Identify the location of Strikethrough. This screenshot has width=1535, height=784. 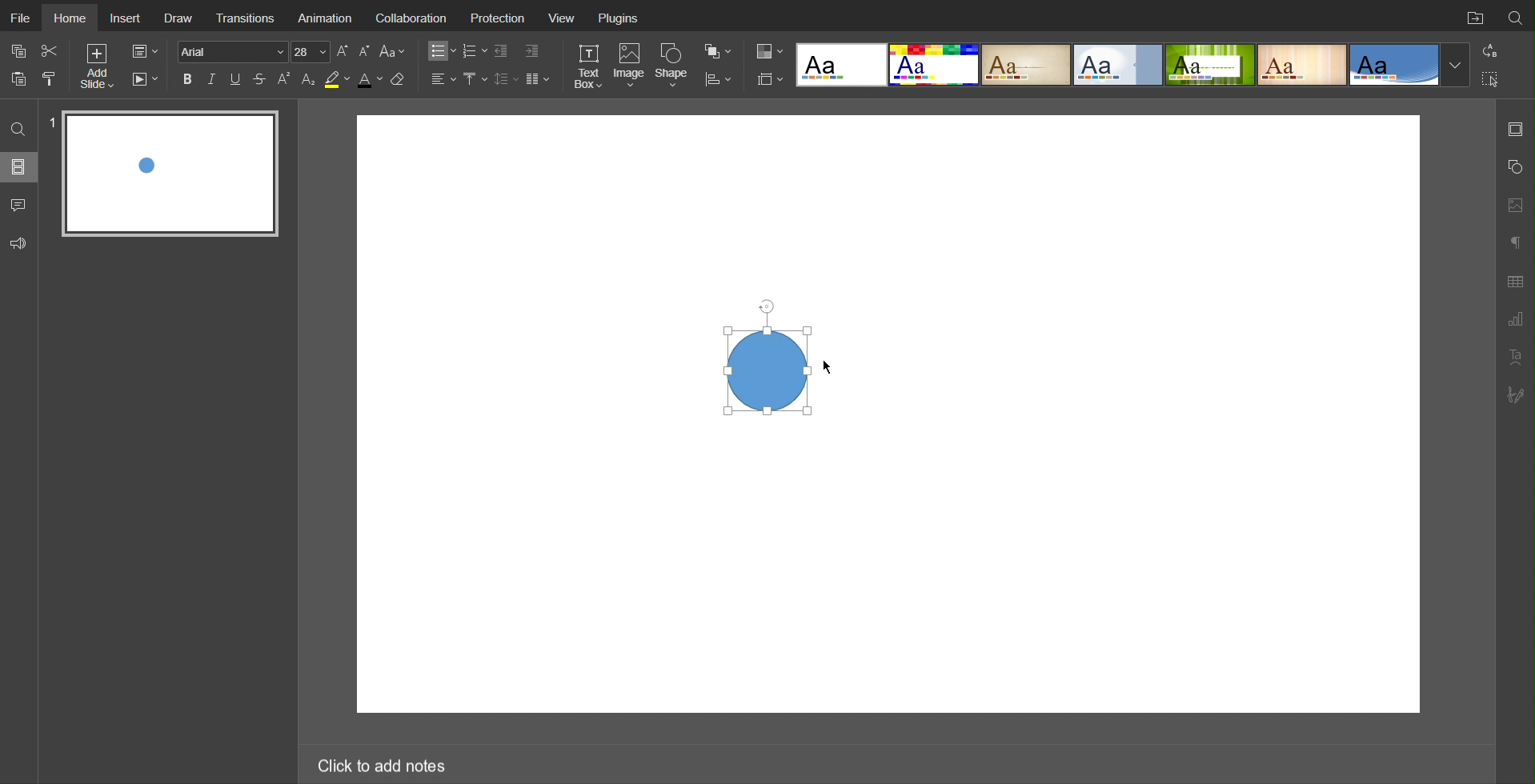
(260, 79).